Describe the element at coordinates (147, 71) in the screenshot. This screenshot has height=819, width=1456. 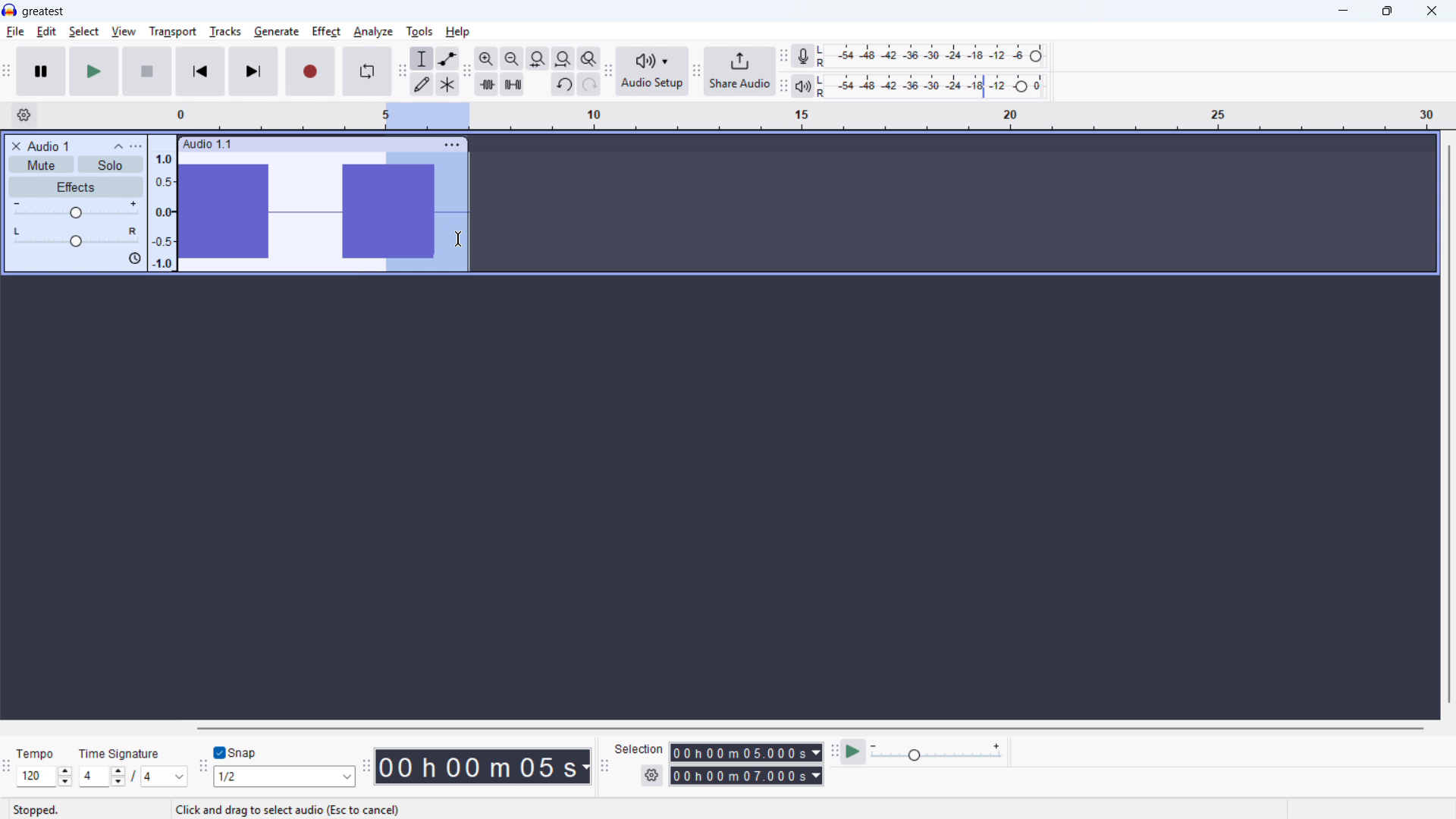
I see `stop ` at that location.